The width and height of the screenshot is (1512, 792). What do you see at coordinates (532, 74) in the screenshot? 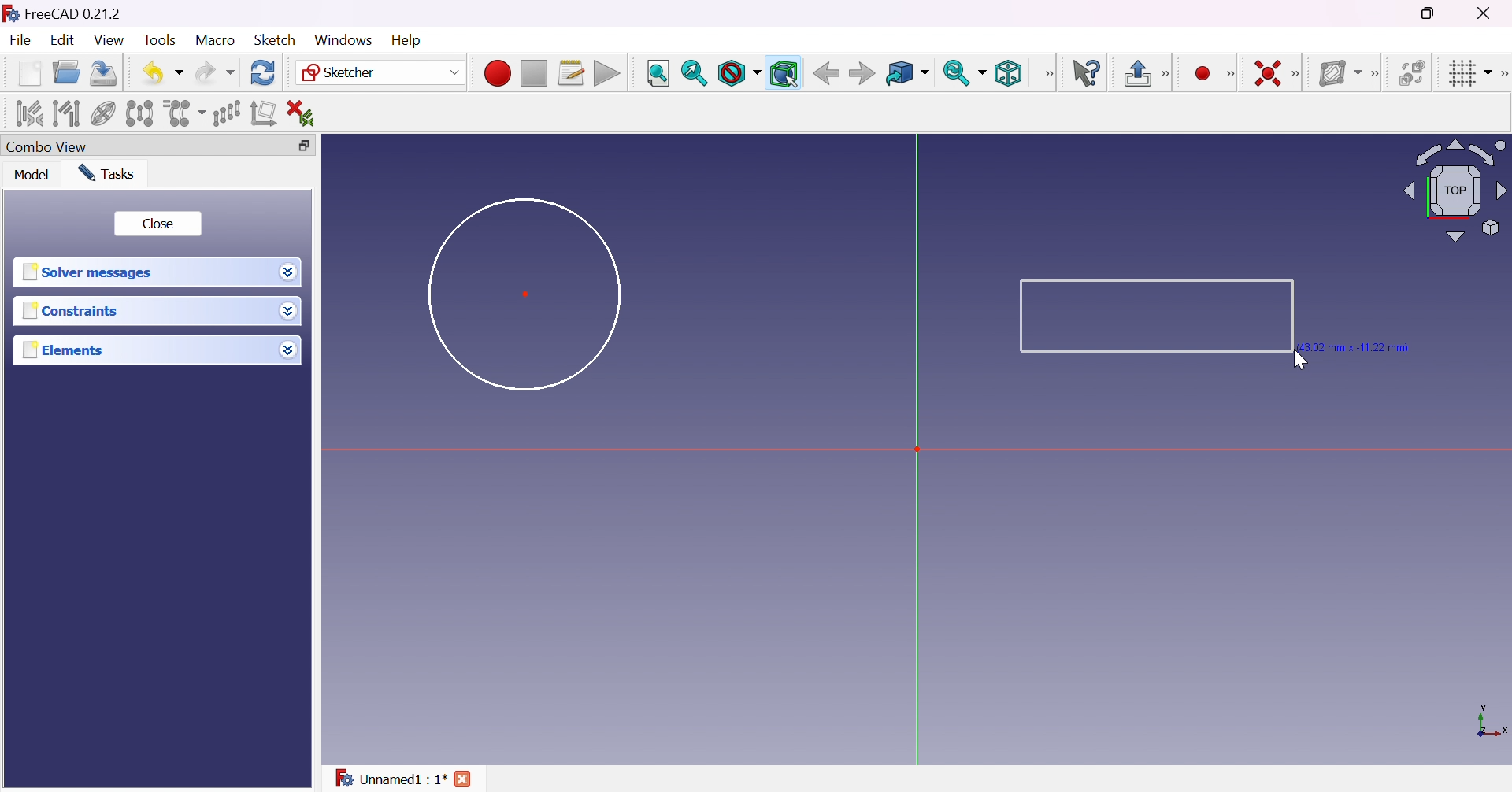
I see `Stop macro recording` at bounding box center [532, 74].